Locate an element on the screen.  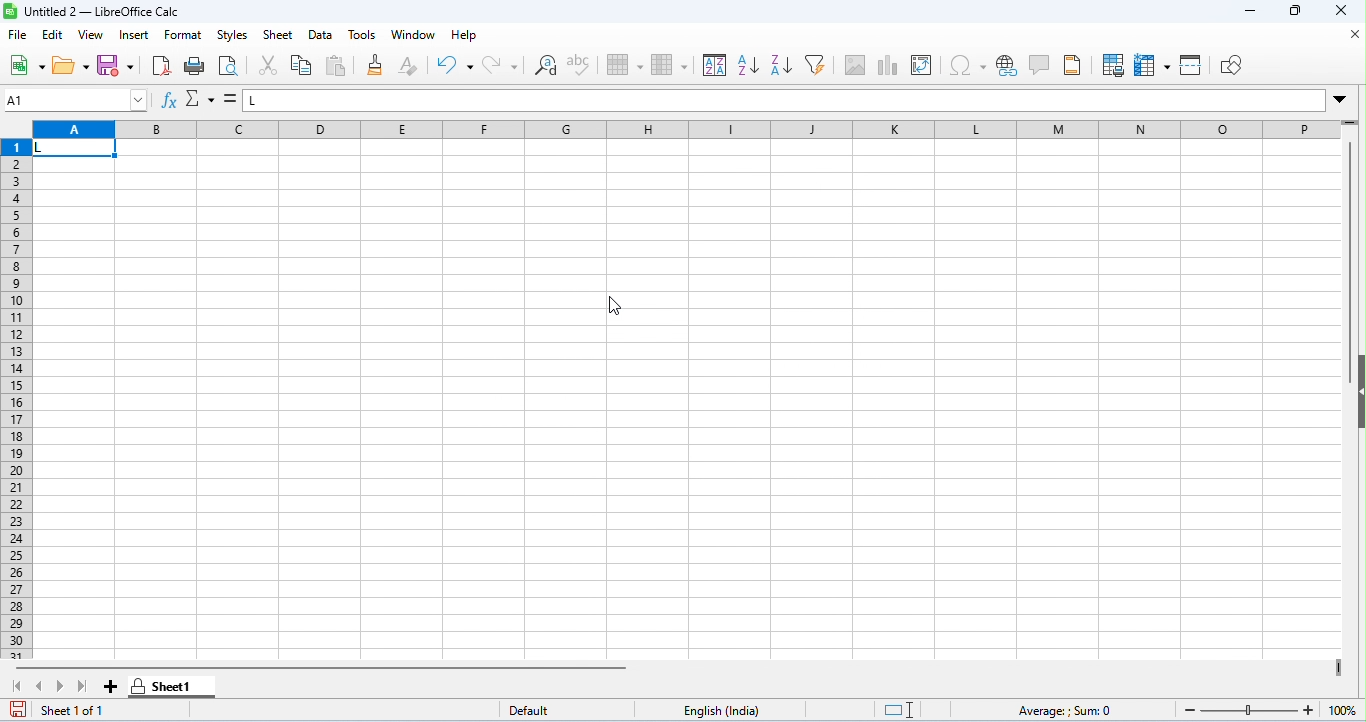
print preview is located at coordinates (227, 67).